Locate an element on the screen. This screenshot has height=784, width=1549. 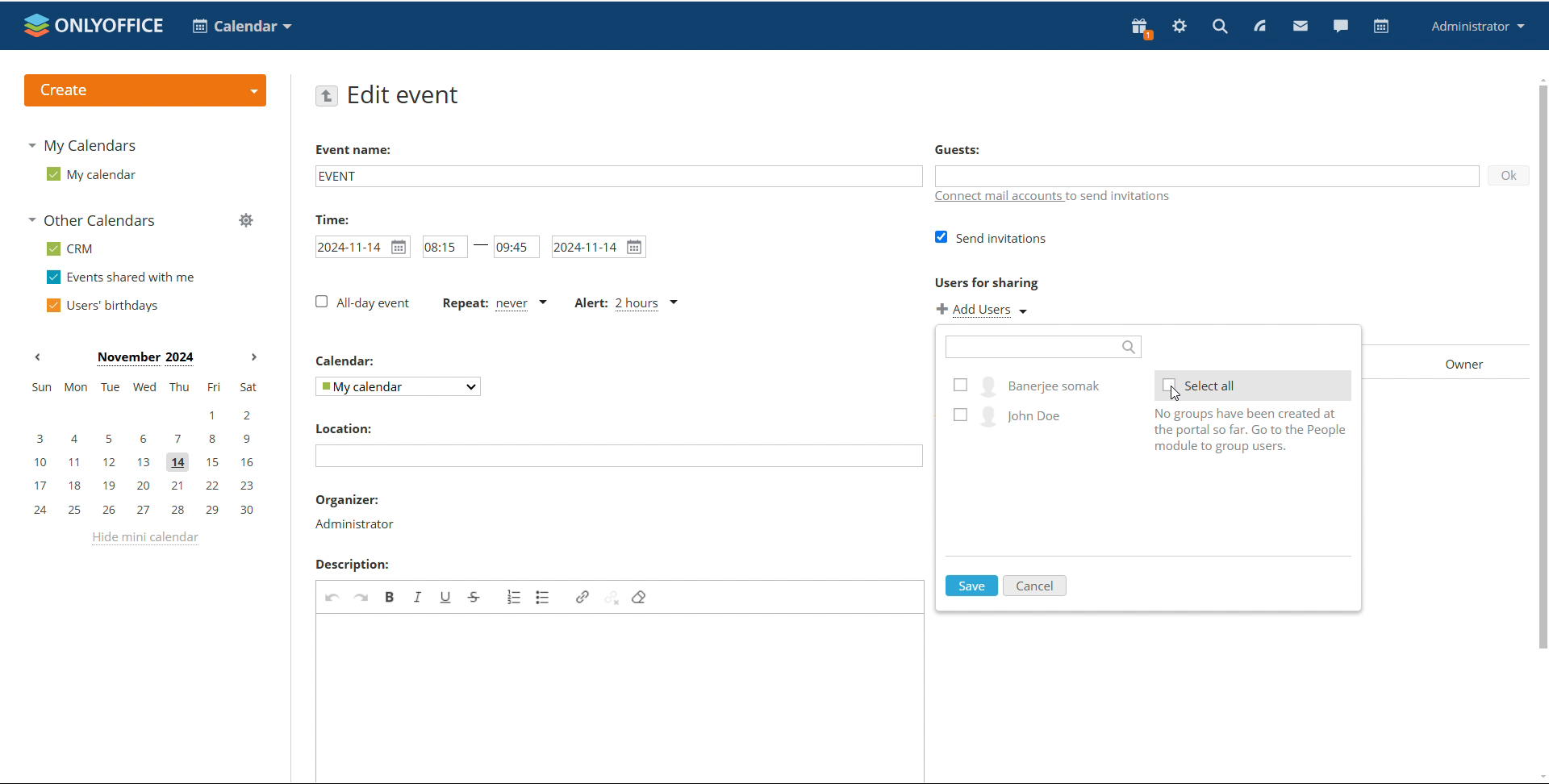
add locaton is located at coordinates (619, 456).